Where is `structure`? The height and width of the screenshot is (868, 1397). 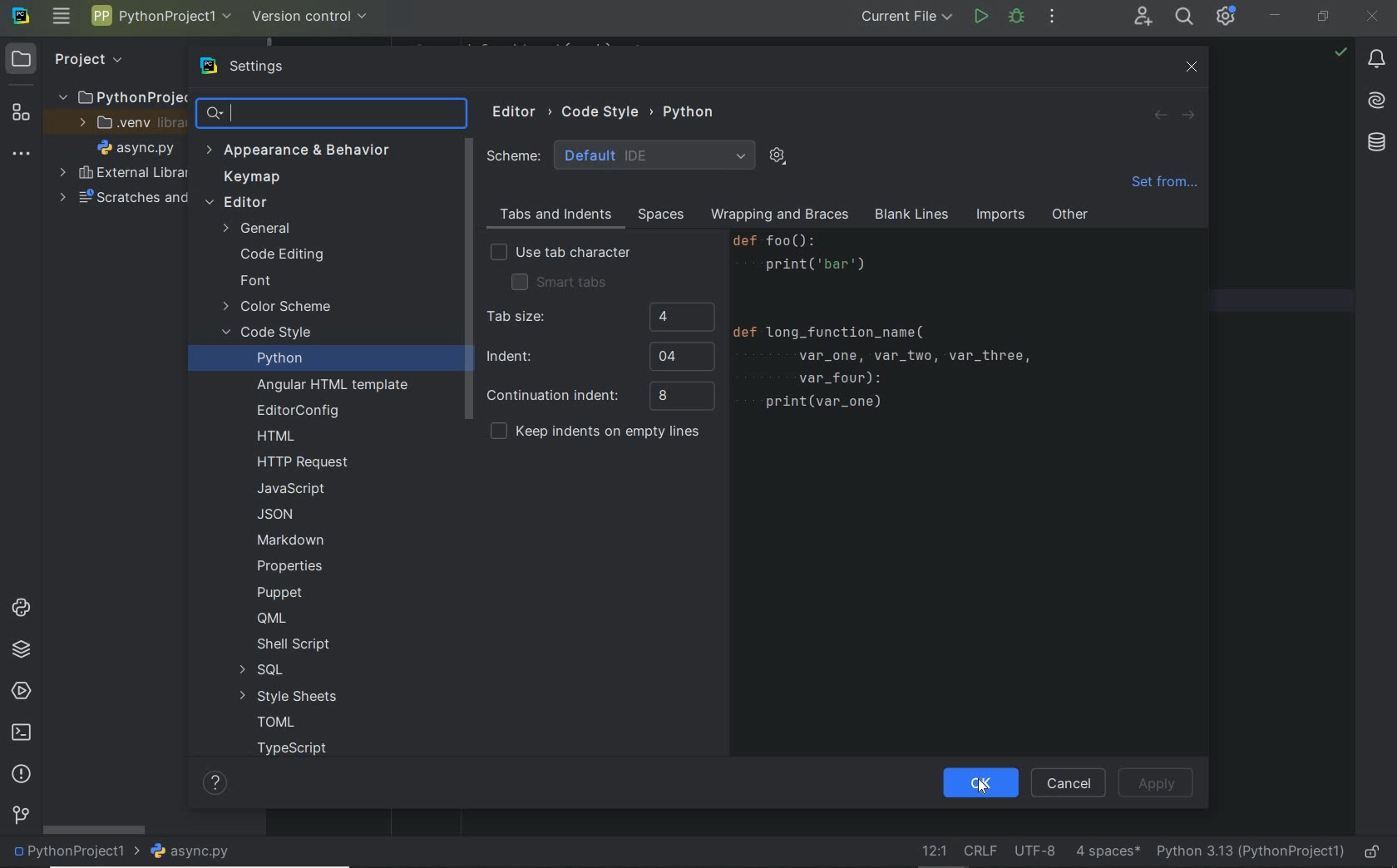
structure is located at coordinates (19, 115).